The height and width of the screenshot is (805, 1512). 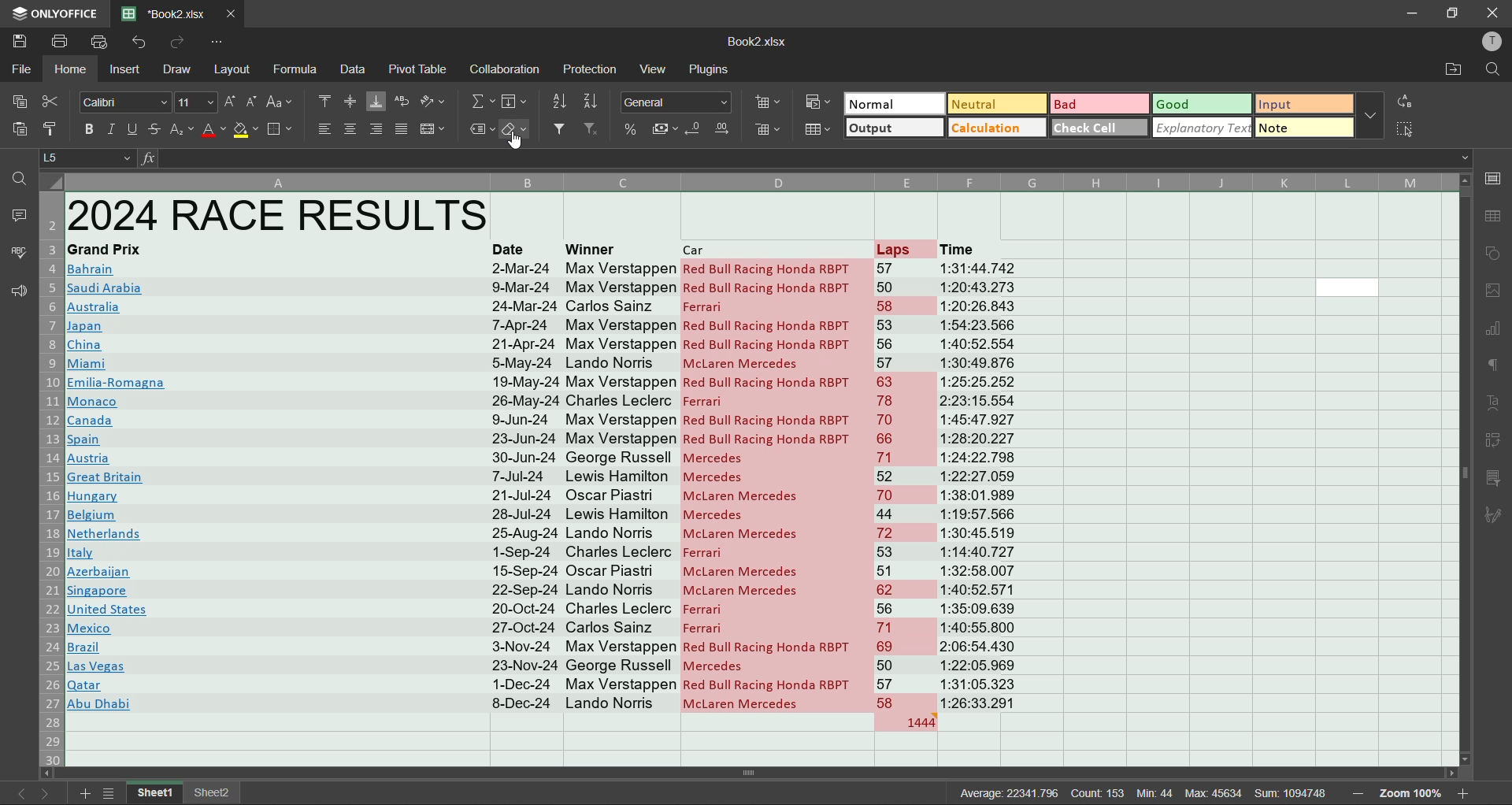 I want to click on bad, so click(x=1099, y=103).